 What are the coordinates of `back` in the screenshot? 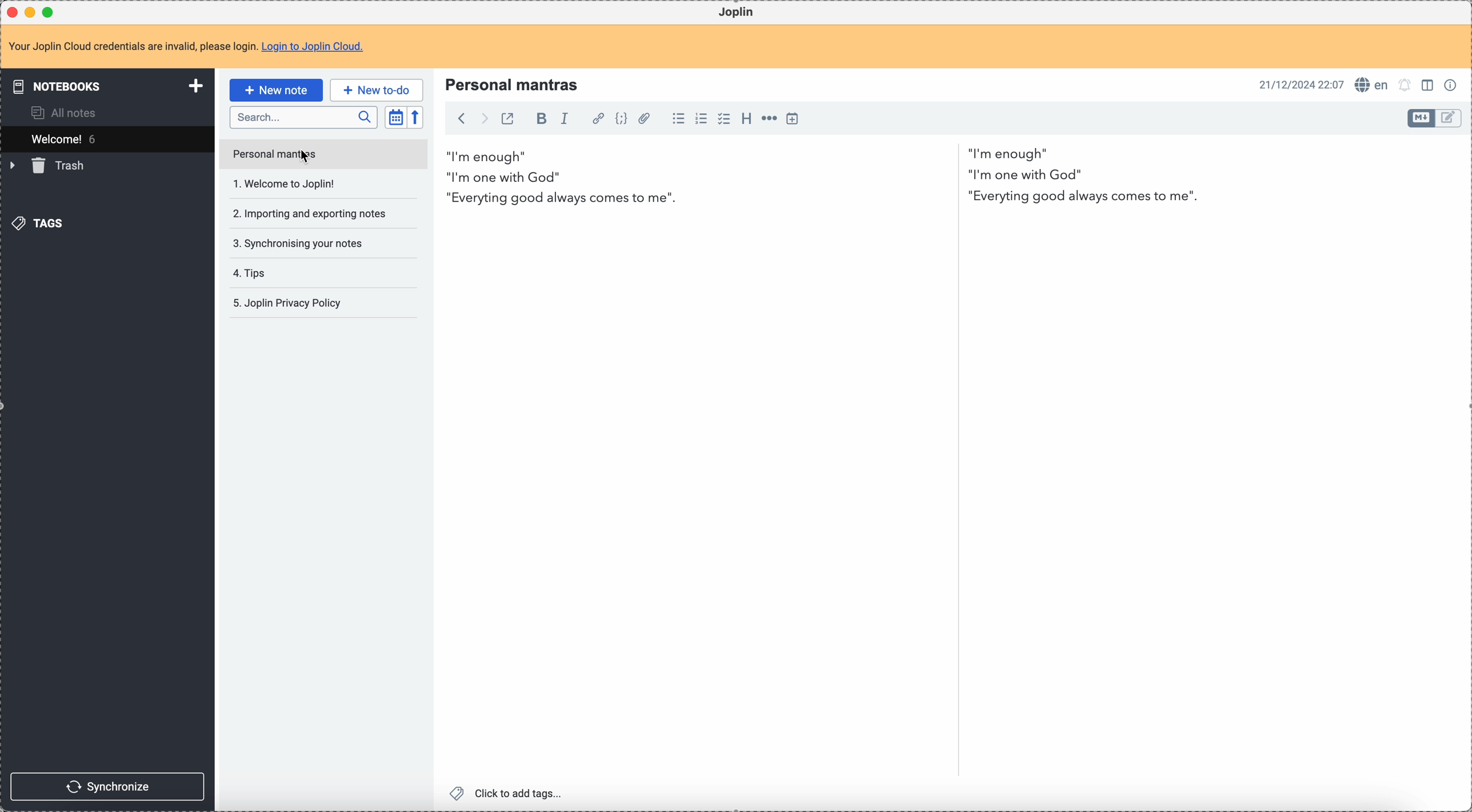 It's located at (461, 119).